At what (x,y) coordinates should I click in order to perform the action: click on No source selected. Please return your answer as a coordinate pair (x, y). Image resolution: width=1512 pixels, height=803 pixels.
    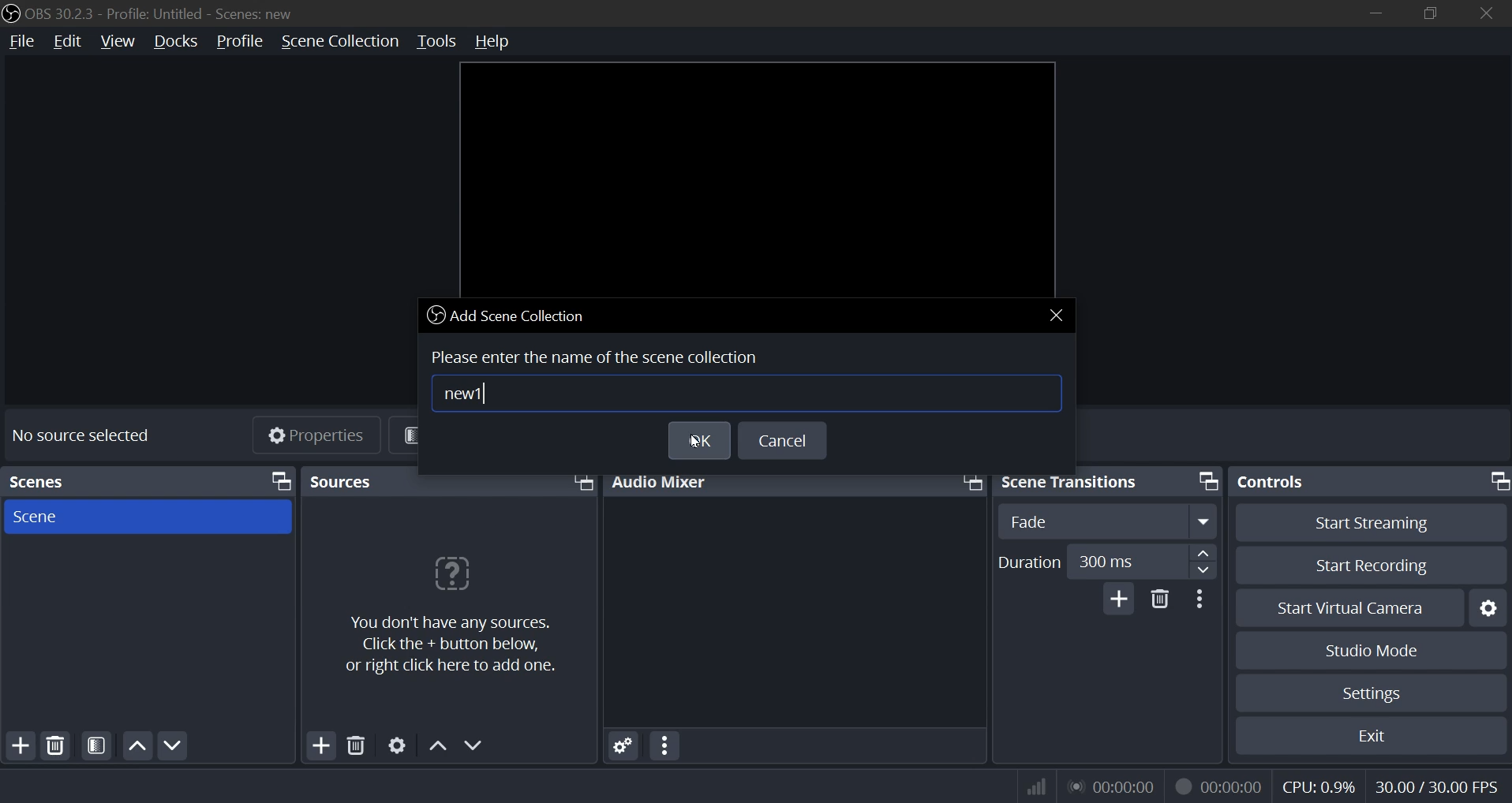
    Looking at the image, I should click on (80, 434).